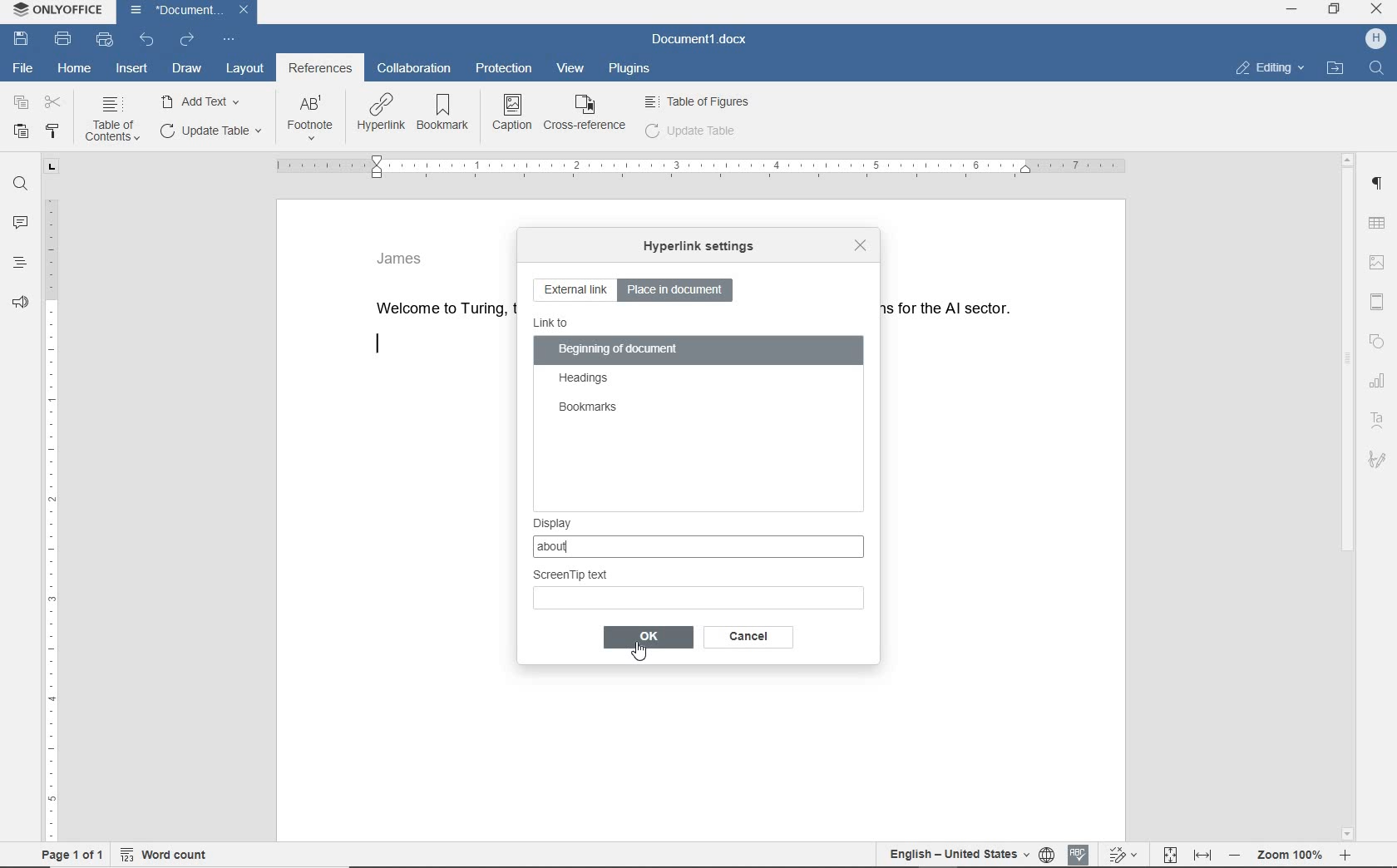 This screenshot has height=868, width=1397. I want to click on zoom 100%, so click(1295, 857).